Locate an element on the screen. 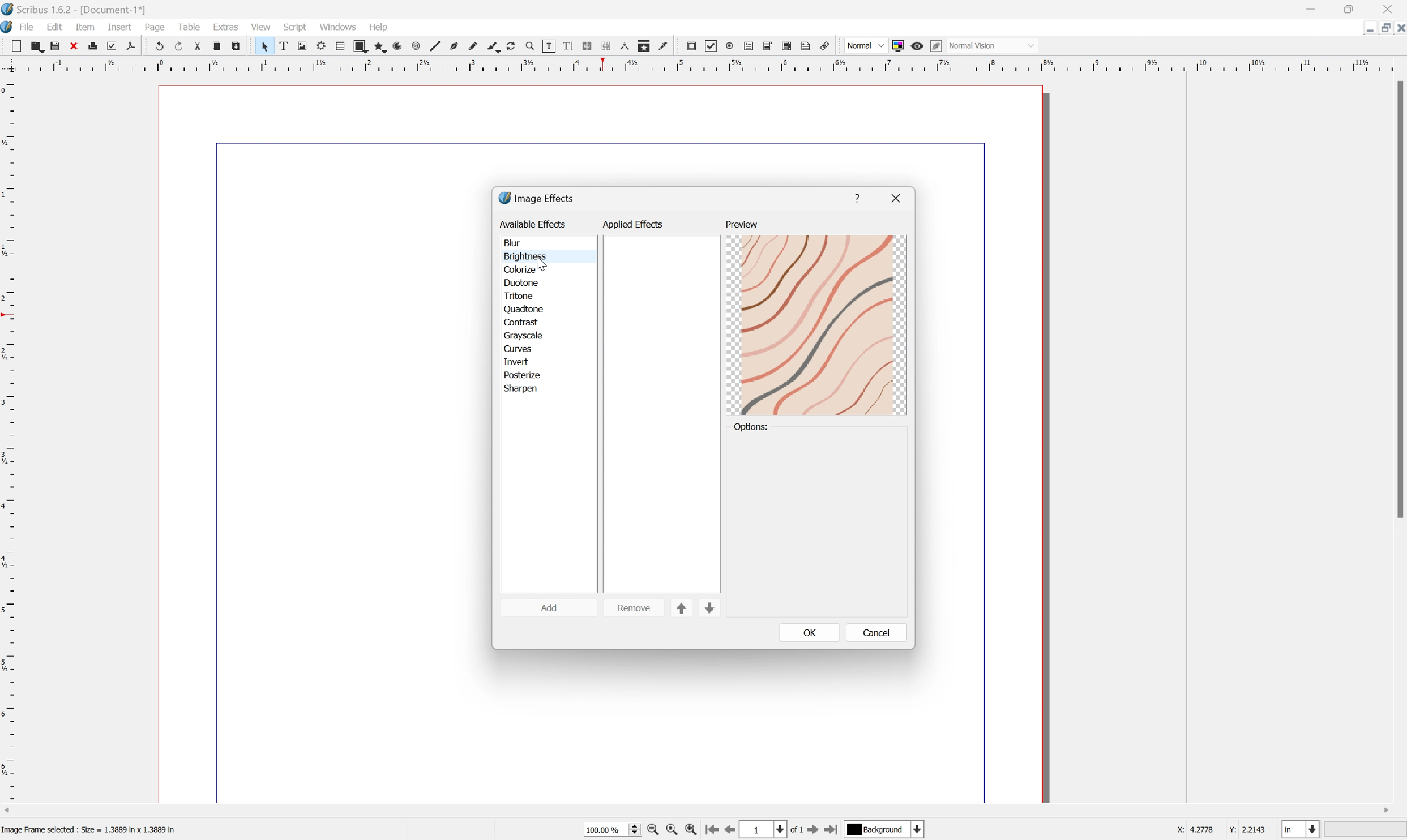  Toggle color management is located at coordinates (899, 45).